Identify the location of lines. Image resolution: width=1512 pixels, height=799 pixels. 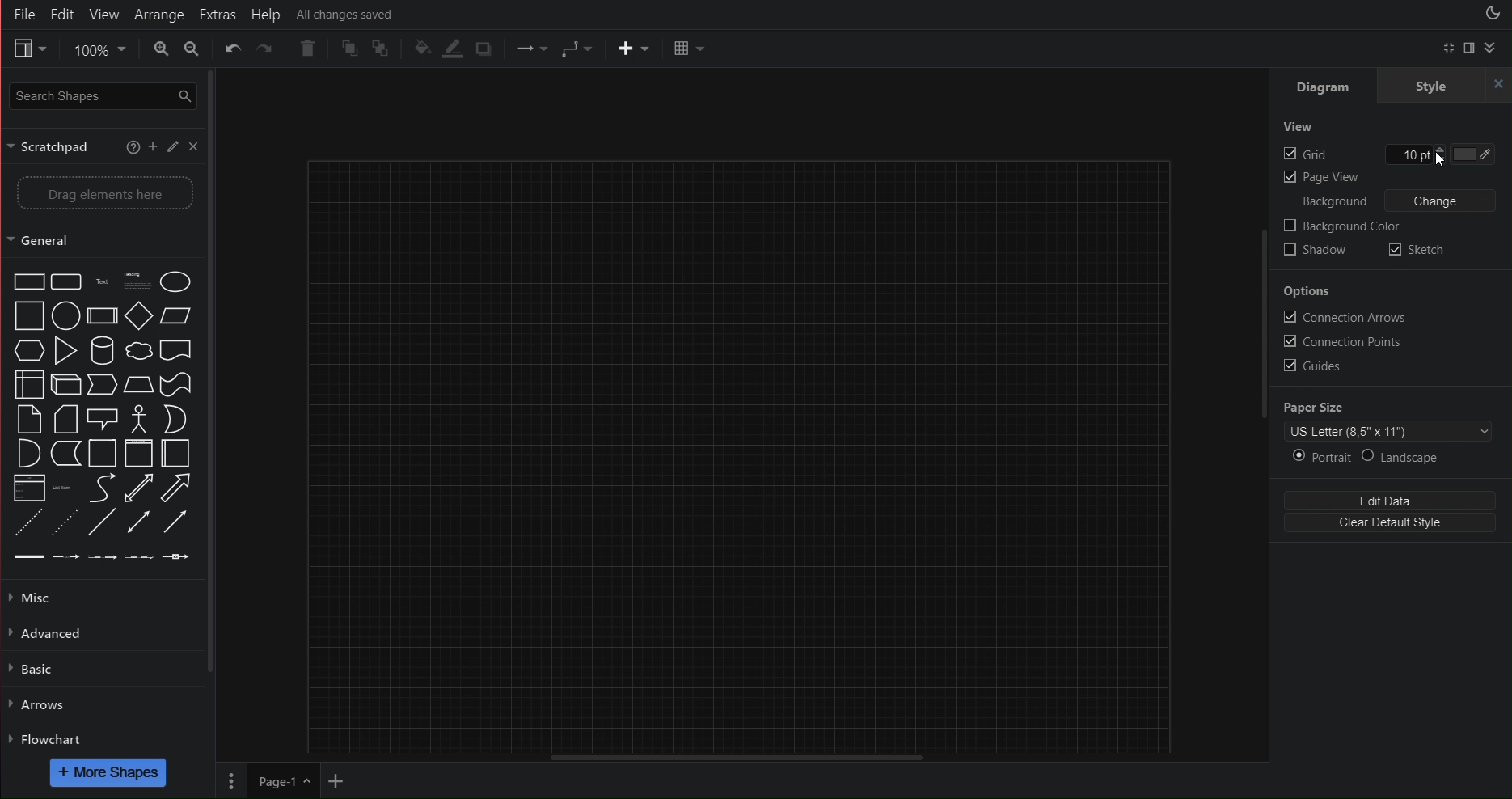
(103, 521).